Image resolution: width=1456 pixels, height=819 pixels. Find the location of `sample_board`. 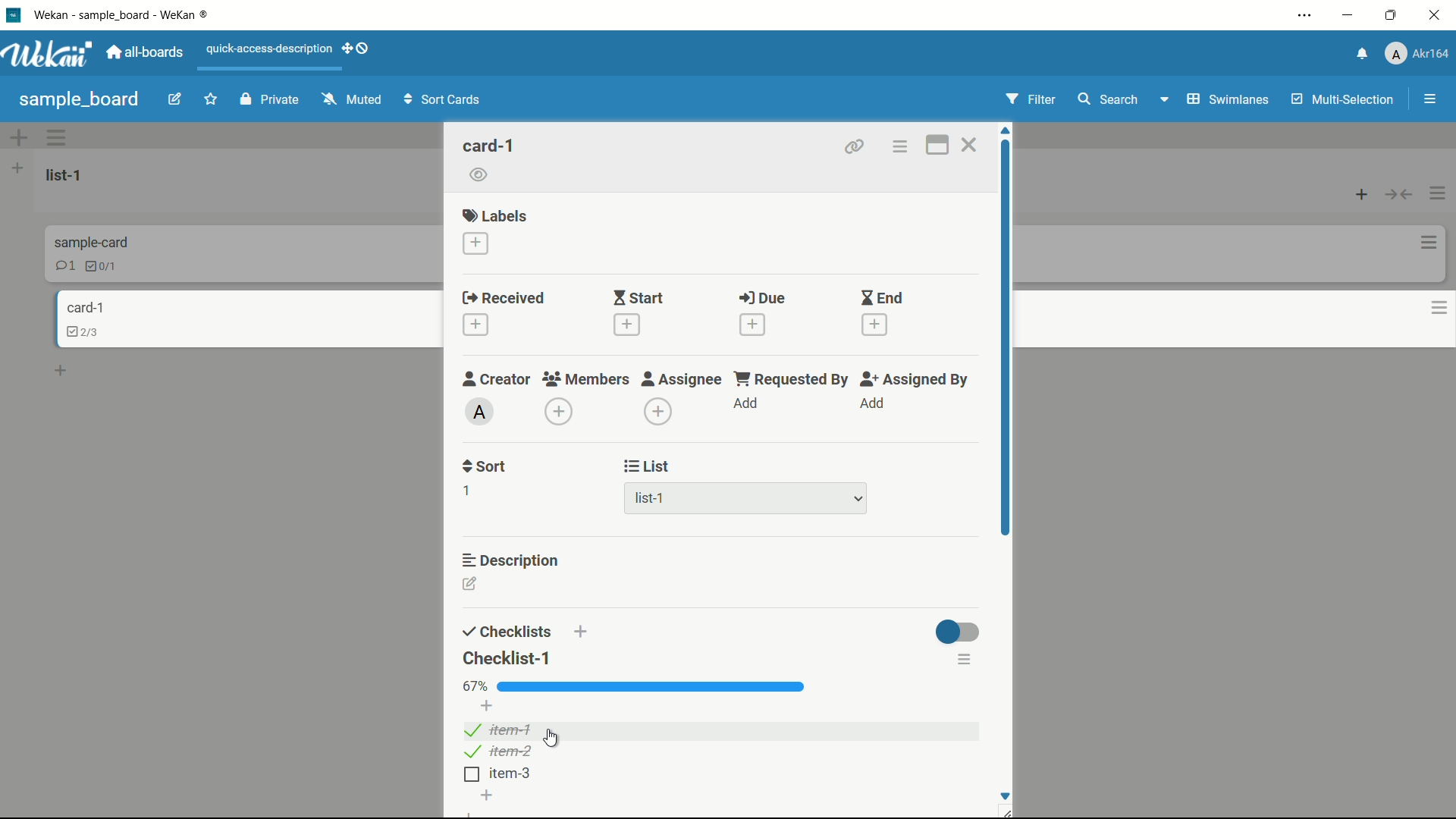

sample_board is located at coordinates (80, 99).